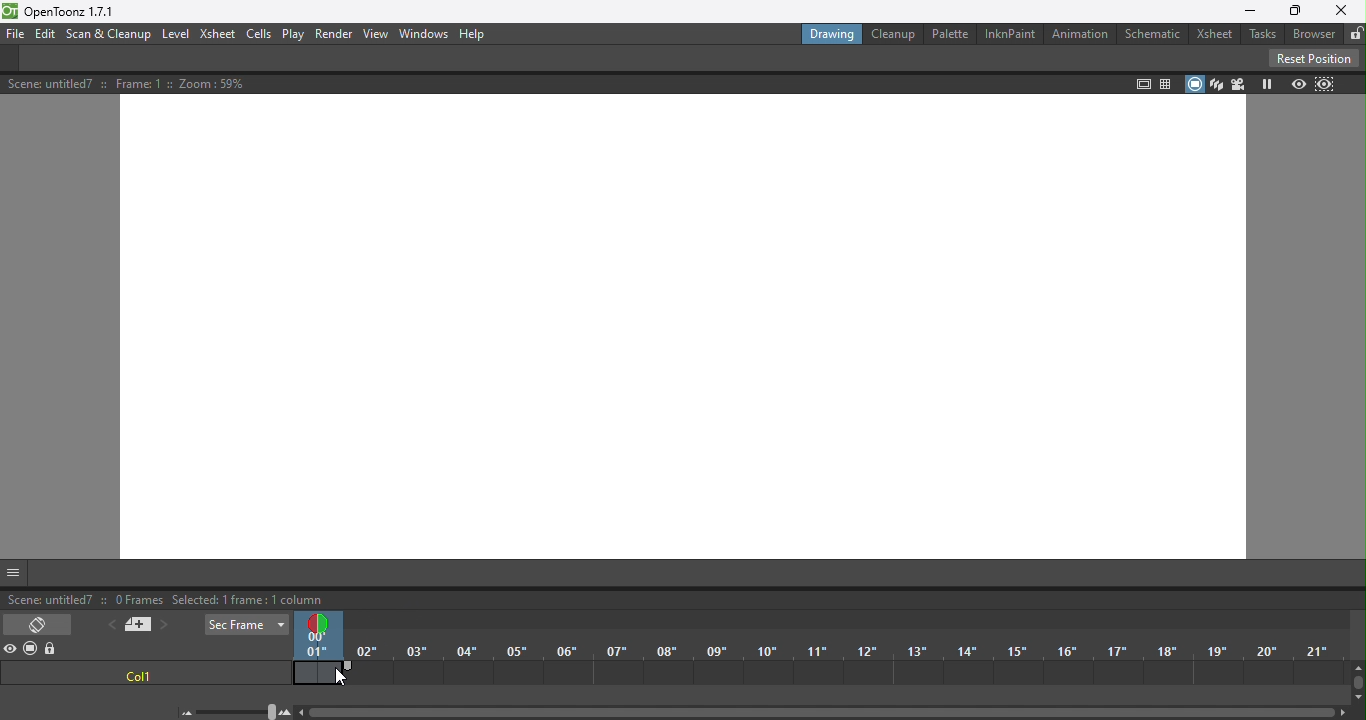  I want to click on Lock rooms tab, so click(1351, 33).